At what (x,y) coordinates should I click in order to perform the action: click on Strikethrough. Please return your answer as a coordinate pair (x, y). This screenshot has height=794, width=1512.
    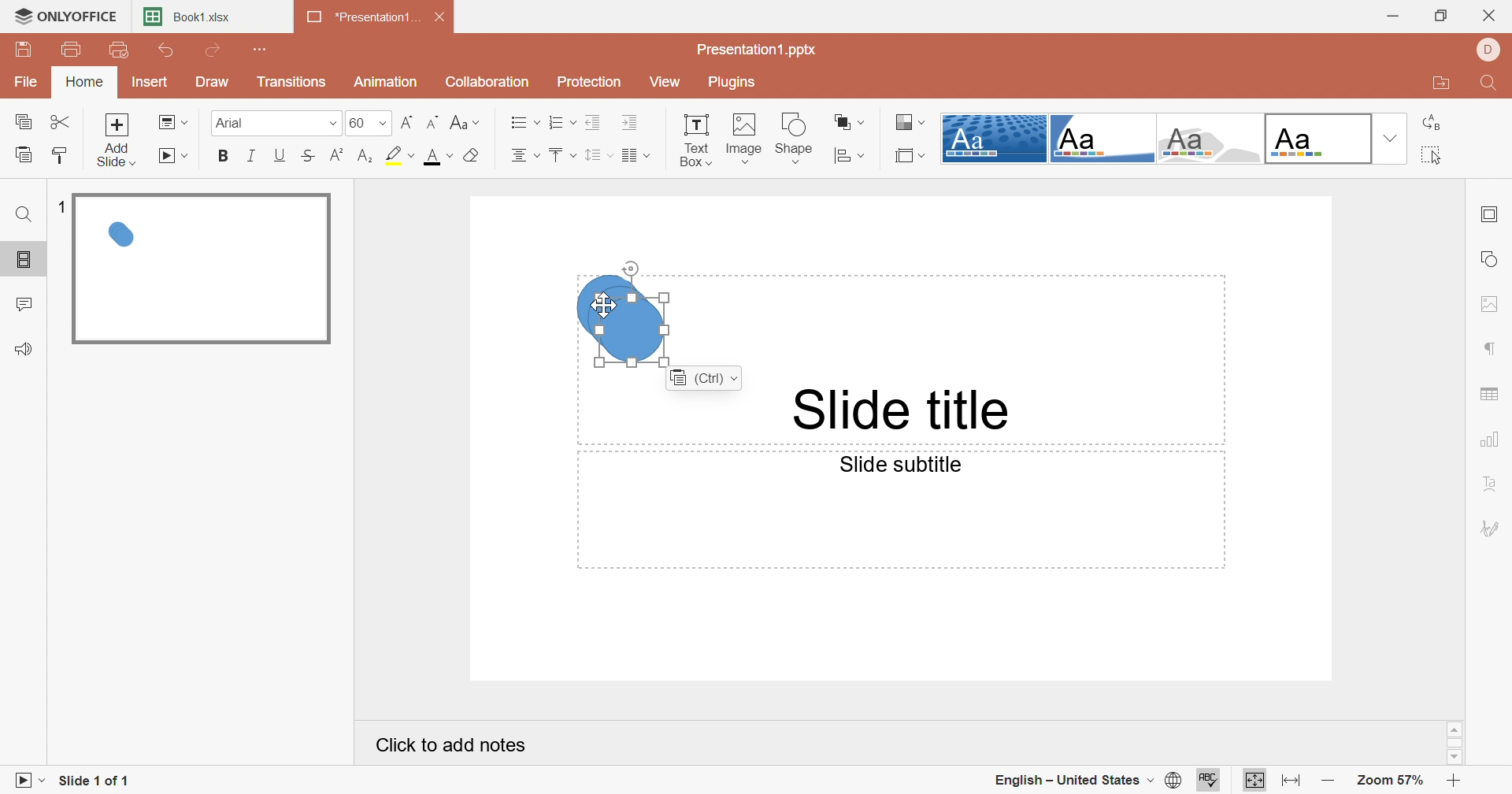
    Looking at the image, I should click on (309, 154).